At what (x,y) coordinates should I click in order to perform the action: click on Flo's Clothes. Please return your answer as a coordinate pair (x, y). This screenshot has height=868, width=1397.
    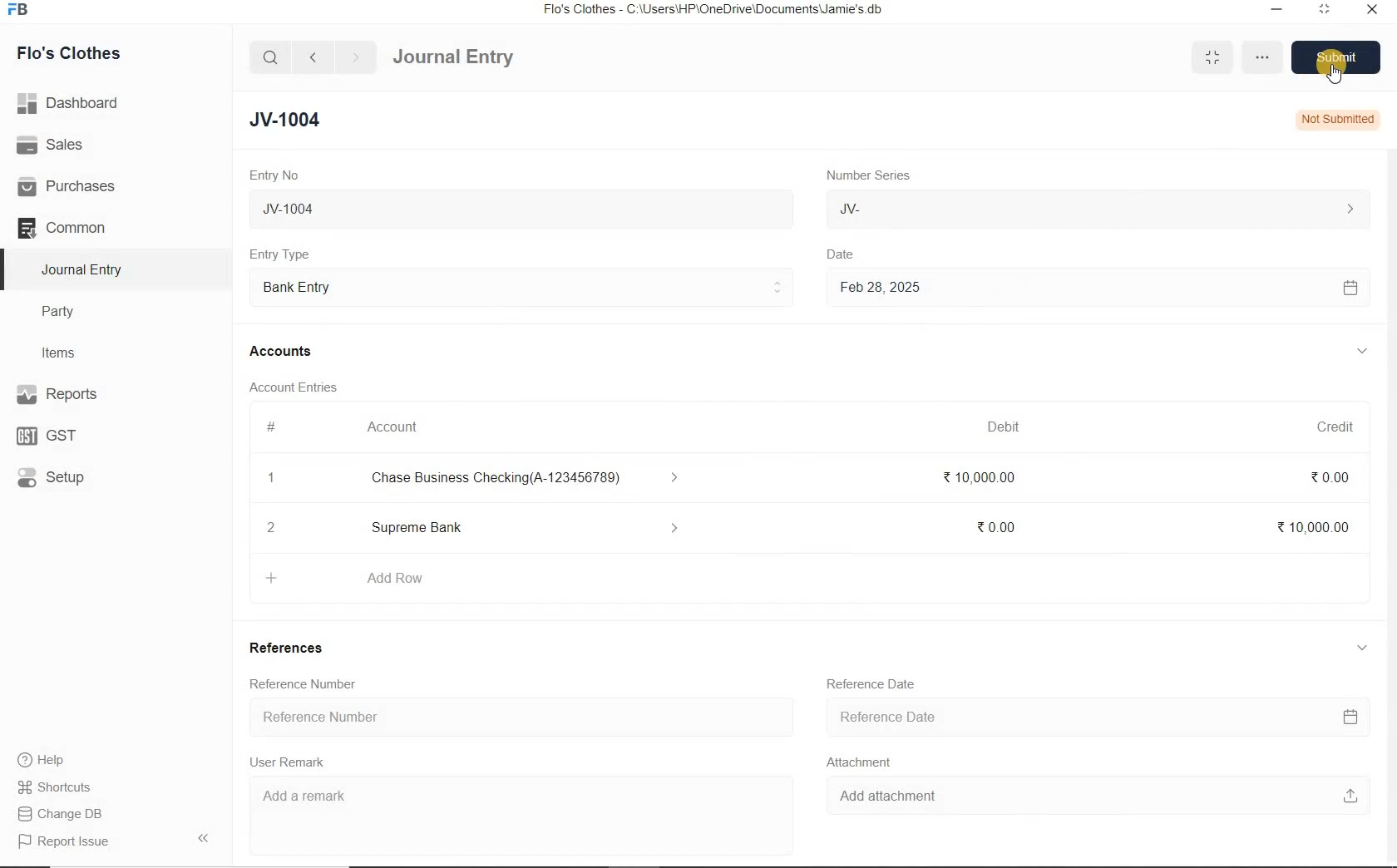
    Looking at the image, I should click on (81, 53).